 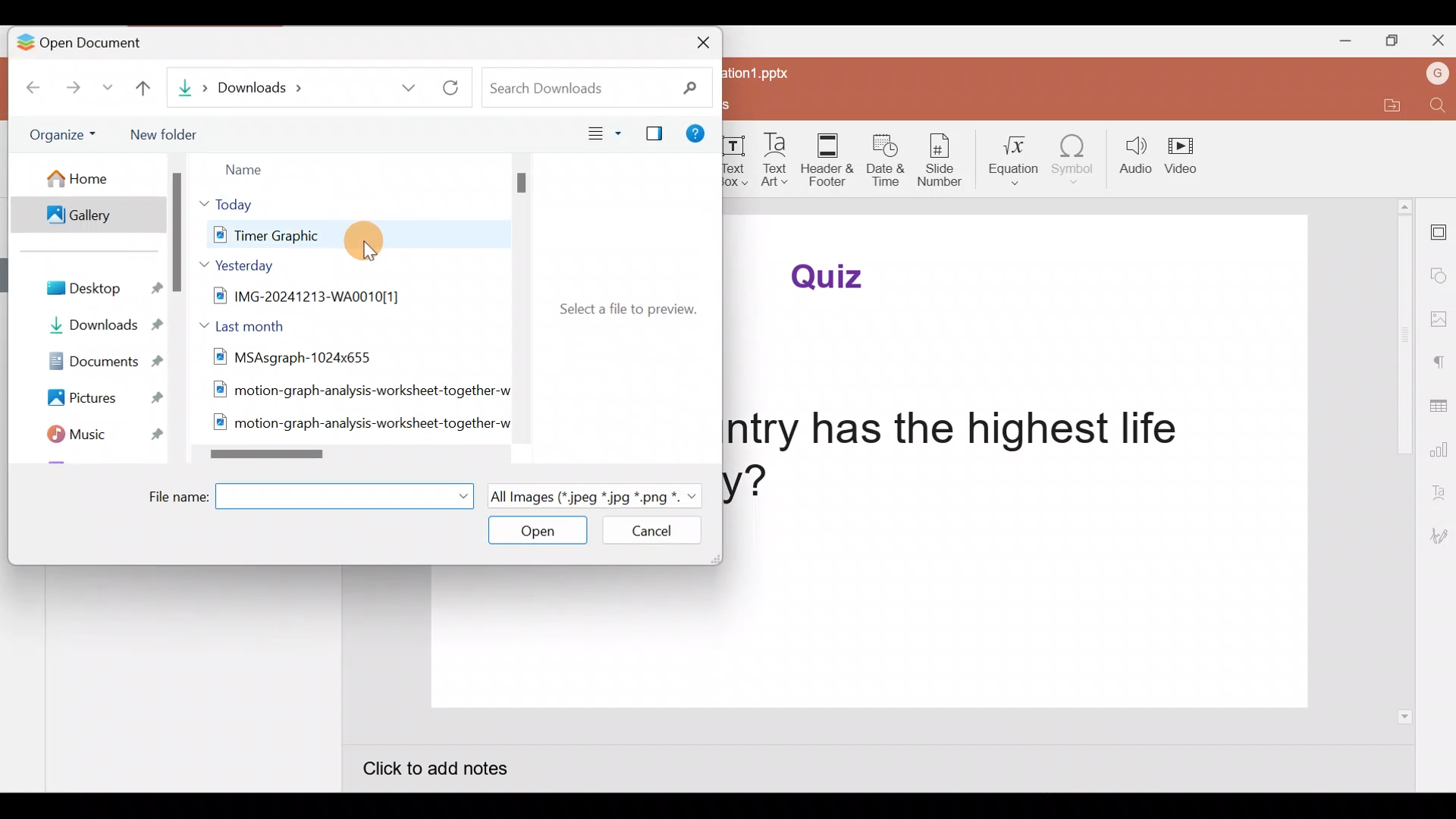 I want to click on Chart settings, so click(x=1439, y=450).